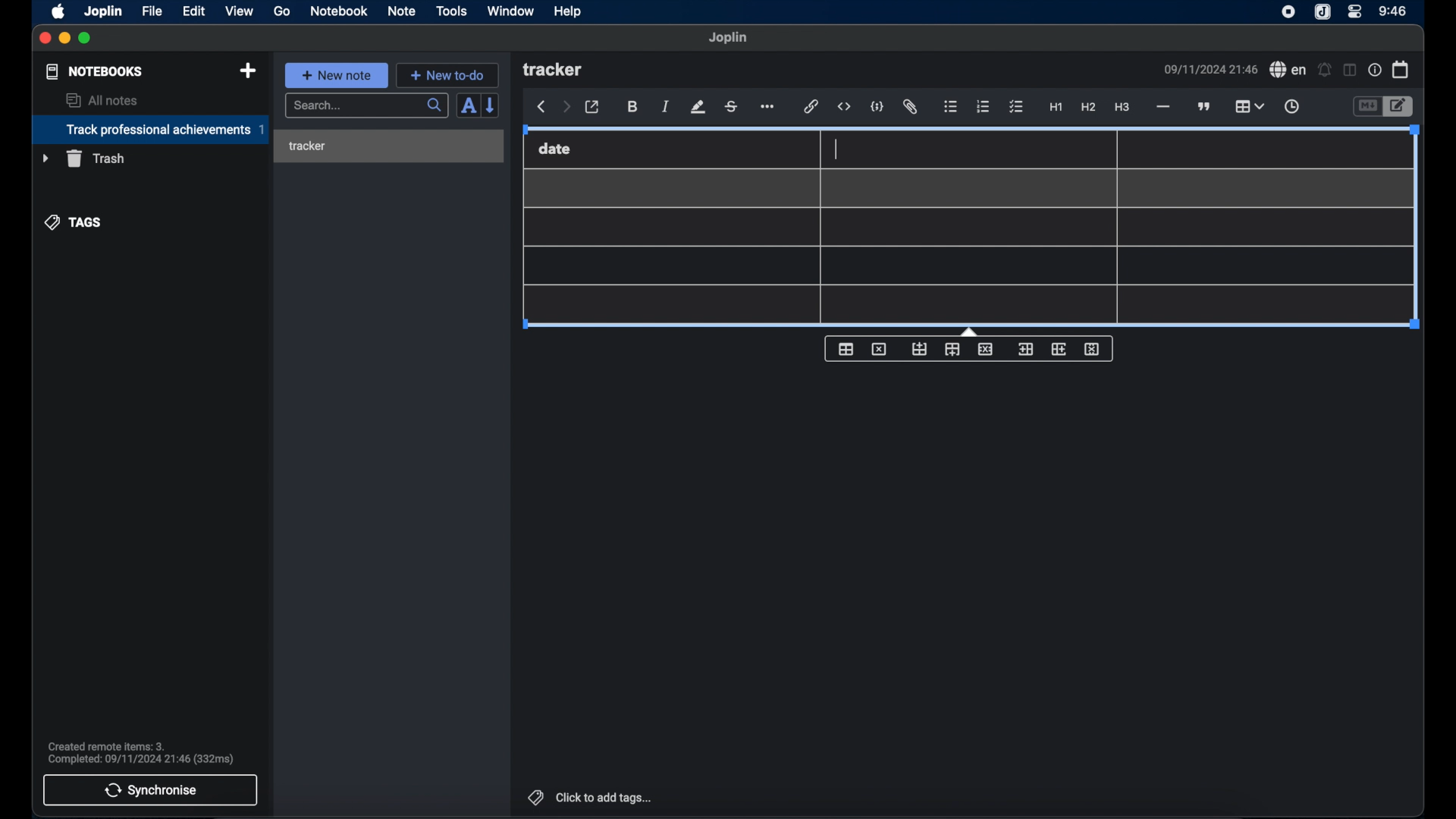 The image size is (1456, 819). I want to click on cursor, so click(835, 149).